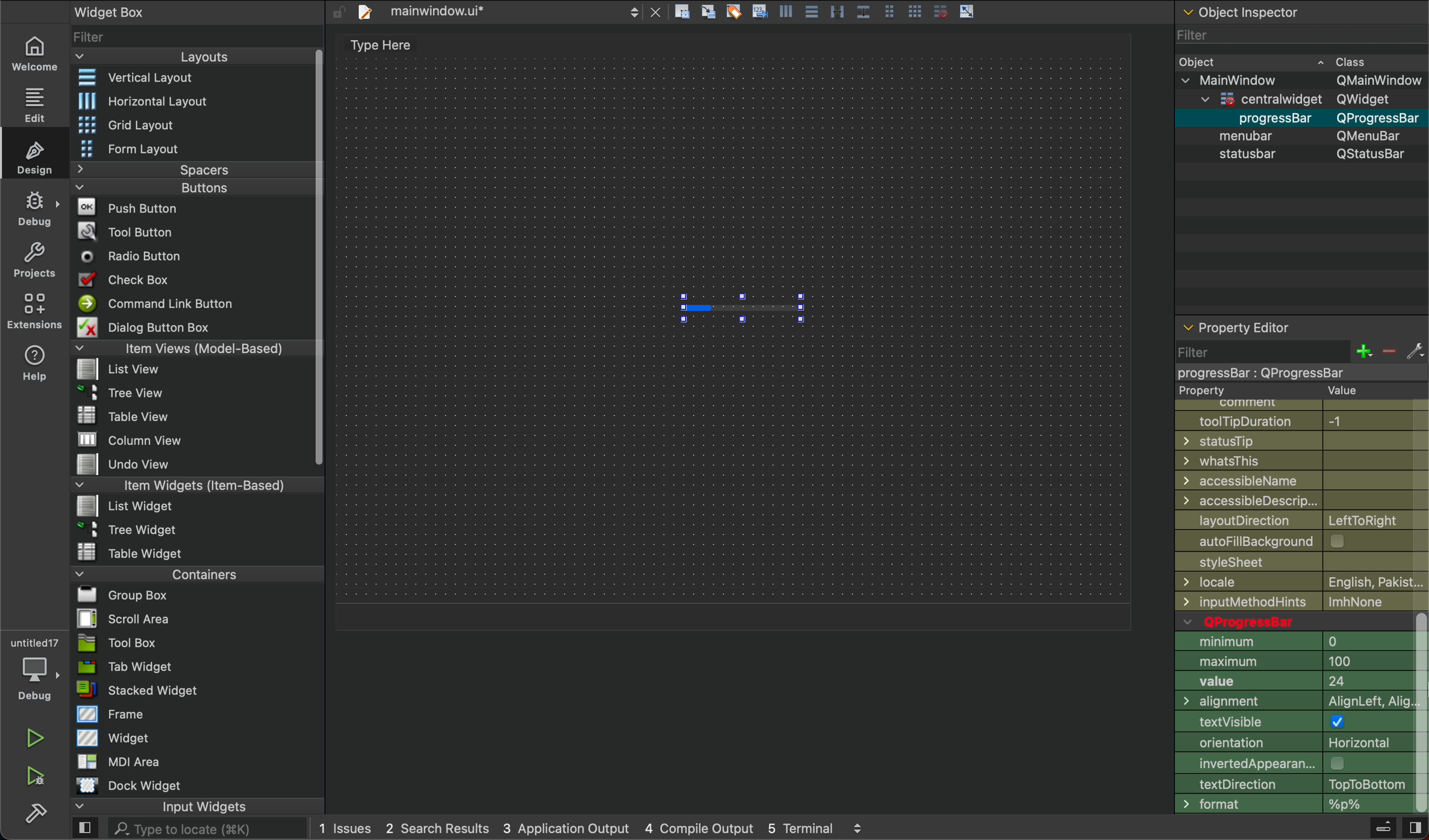  Describe the element at coordinates (32, 103) in the screenshot. I see `edit` at that location.